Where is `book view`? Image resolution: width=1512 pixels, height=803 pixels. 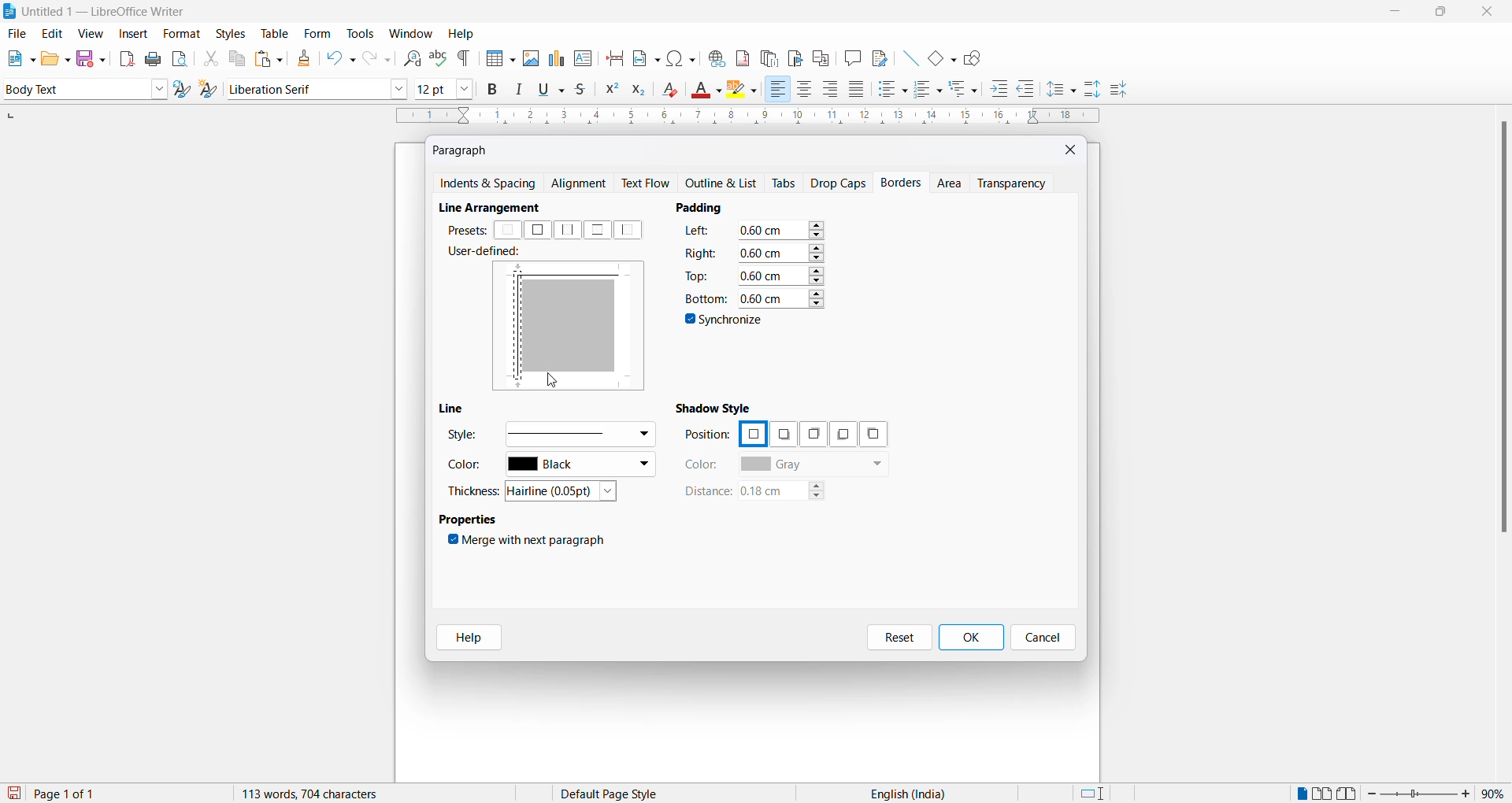 book view is located at coordinates (1351, 794).